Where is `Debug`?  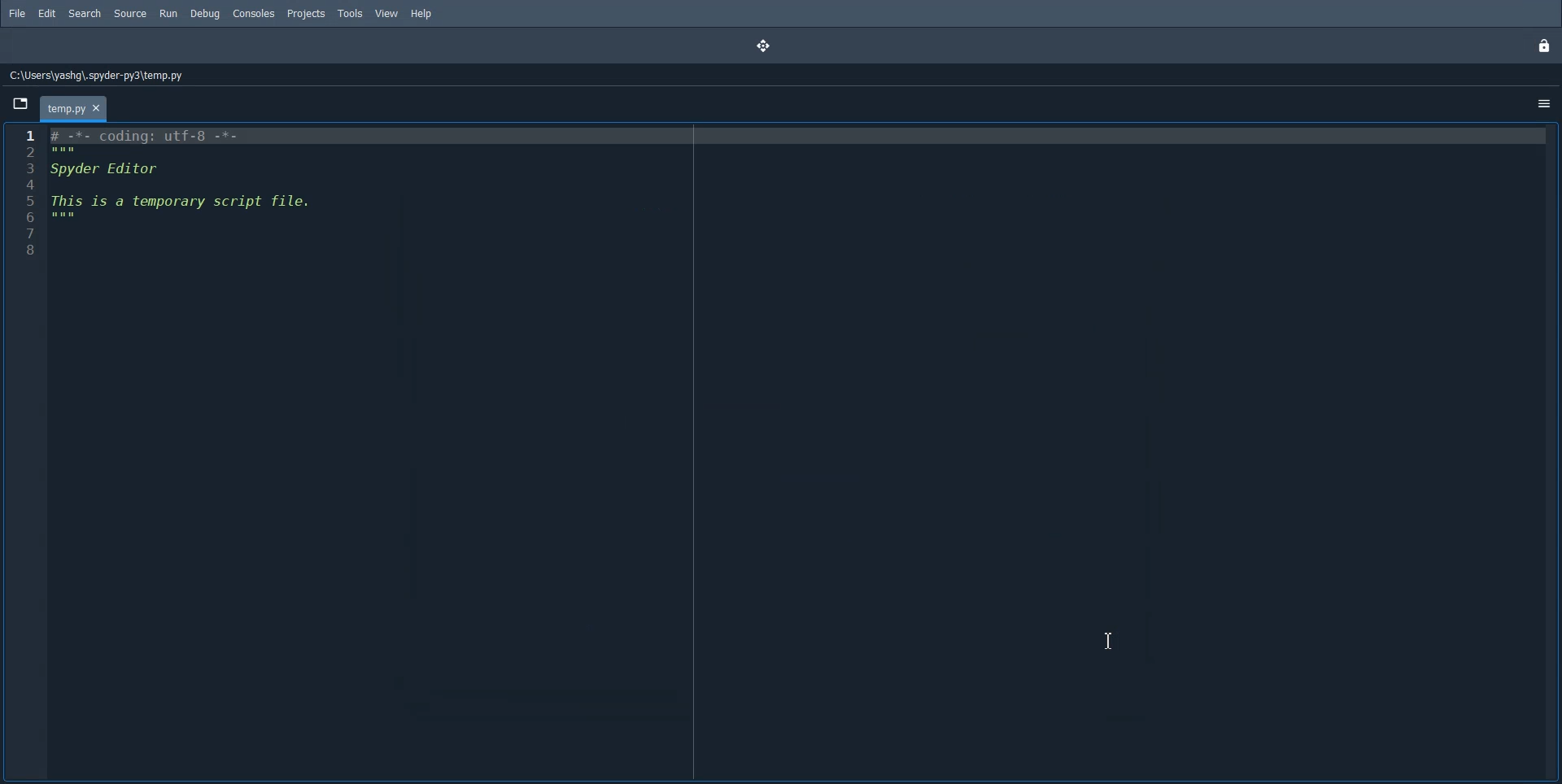 Debug is located at coordinates (206, 14).